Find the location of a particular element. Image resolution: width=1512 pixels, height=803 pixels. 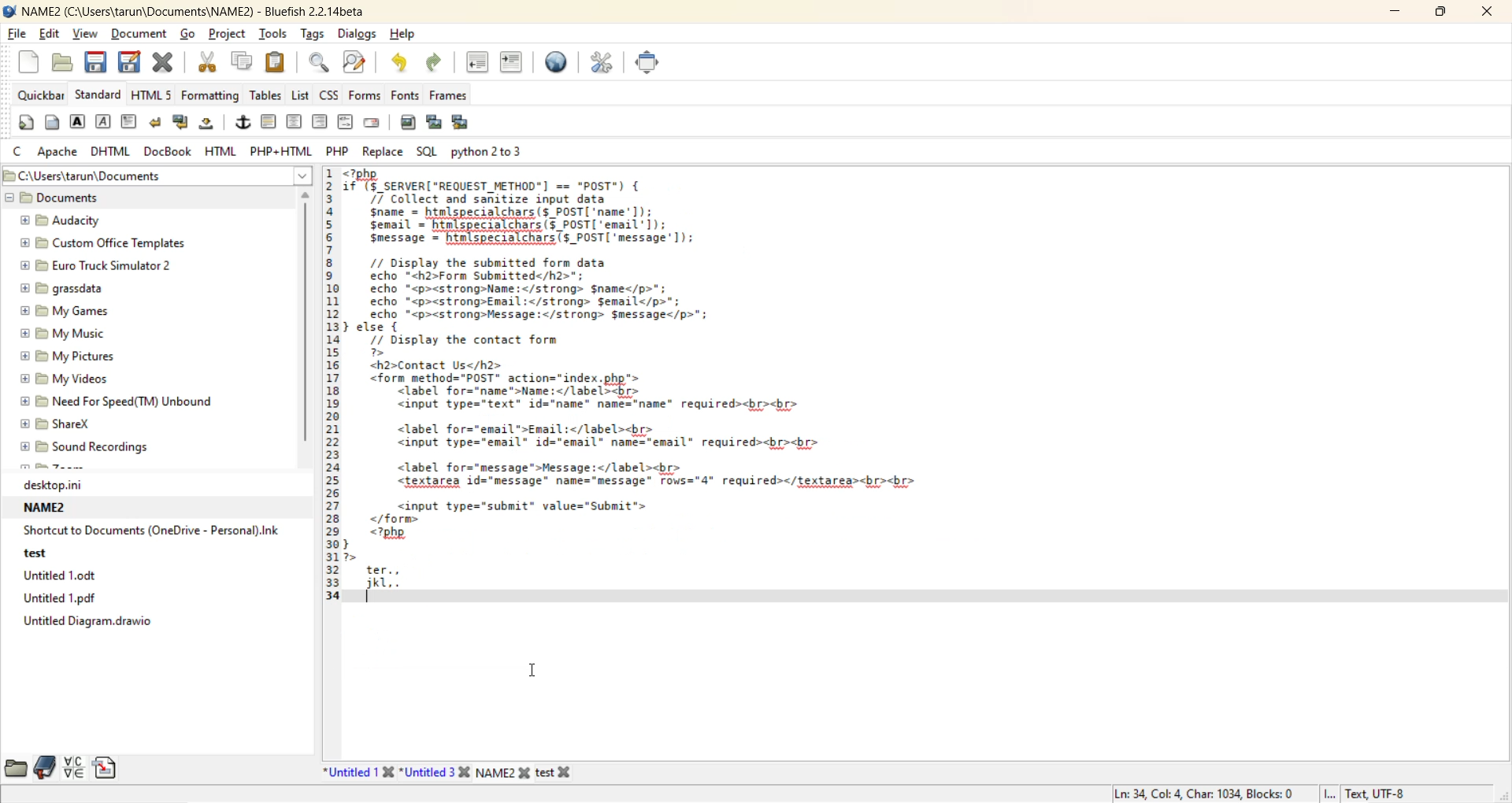

css is located at coordinates (331, 94).